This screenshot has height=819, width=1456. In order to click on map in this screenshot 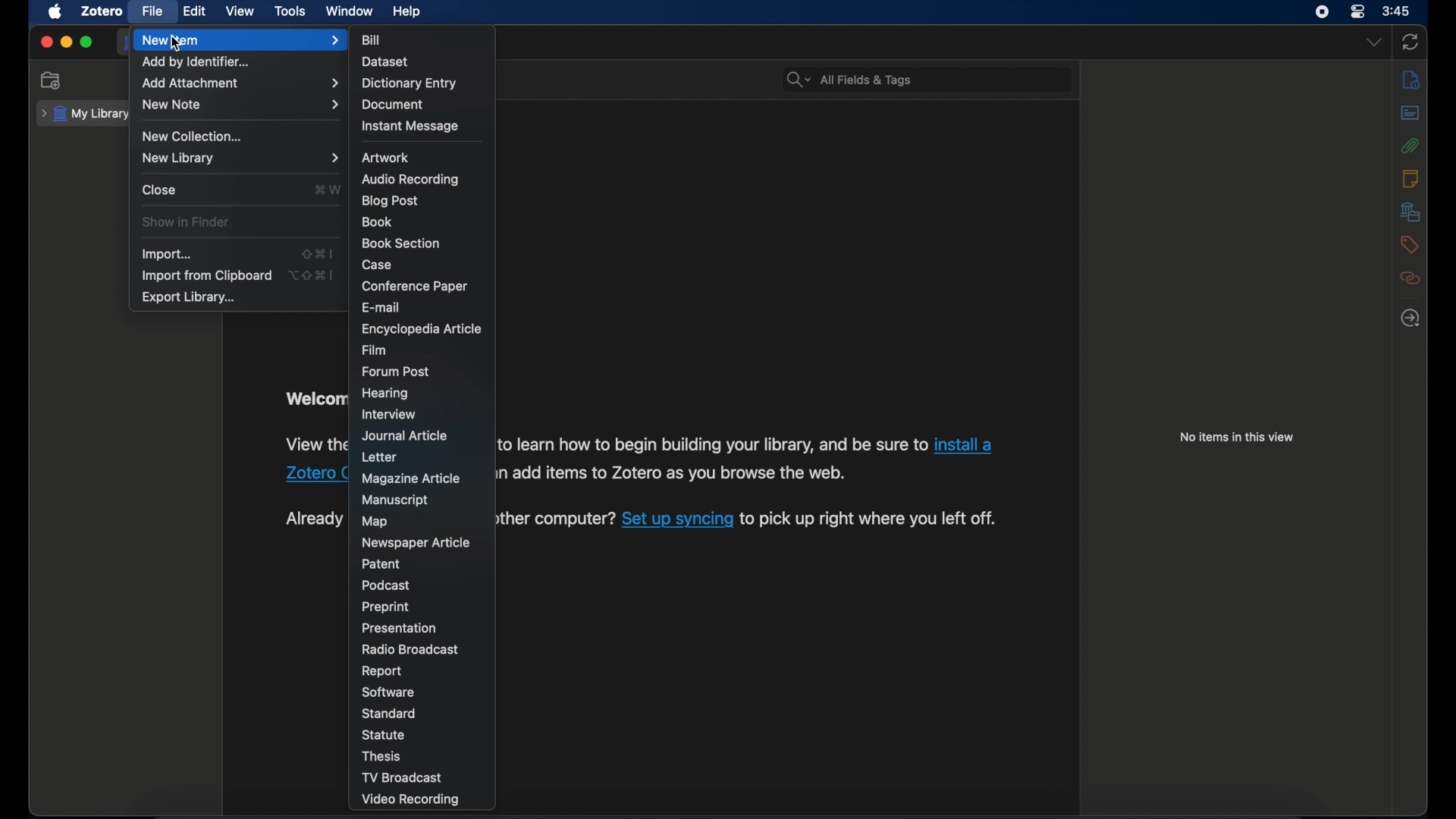, I will do `click(375, 521)`.